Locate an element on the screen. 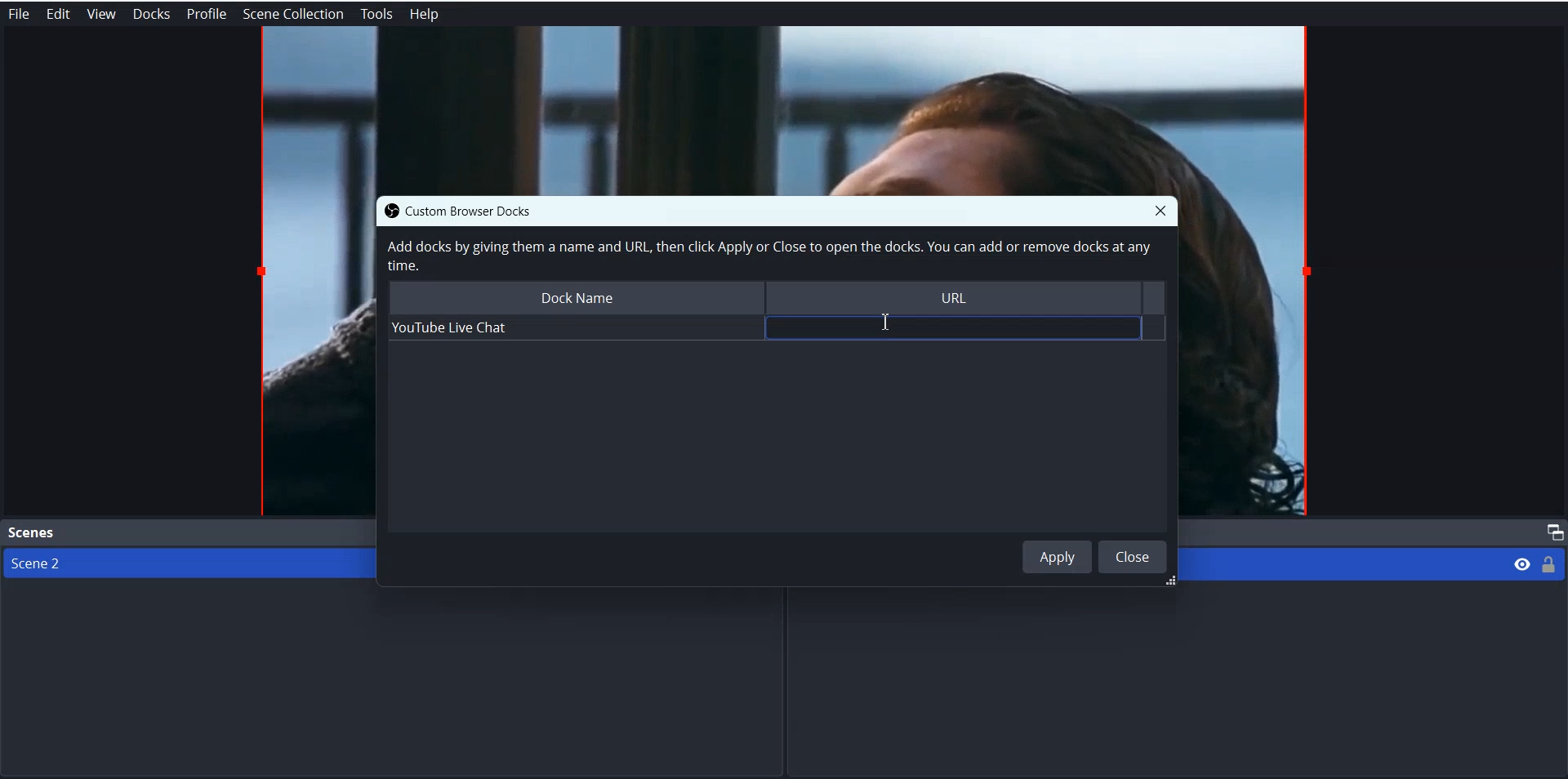  Docks is located at coordinates (151, 14).